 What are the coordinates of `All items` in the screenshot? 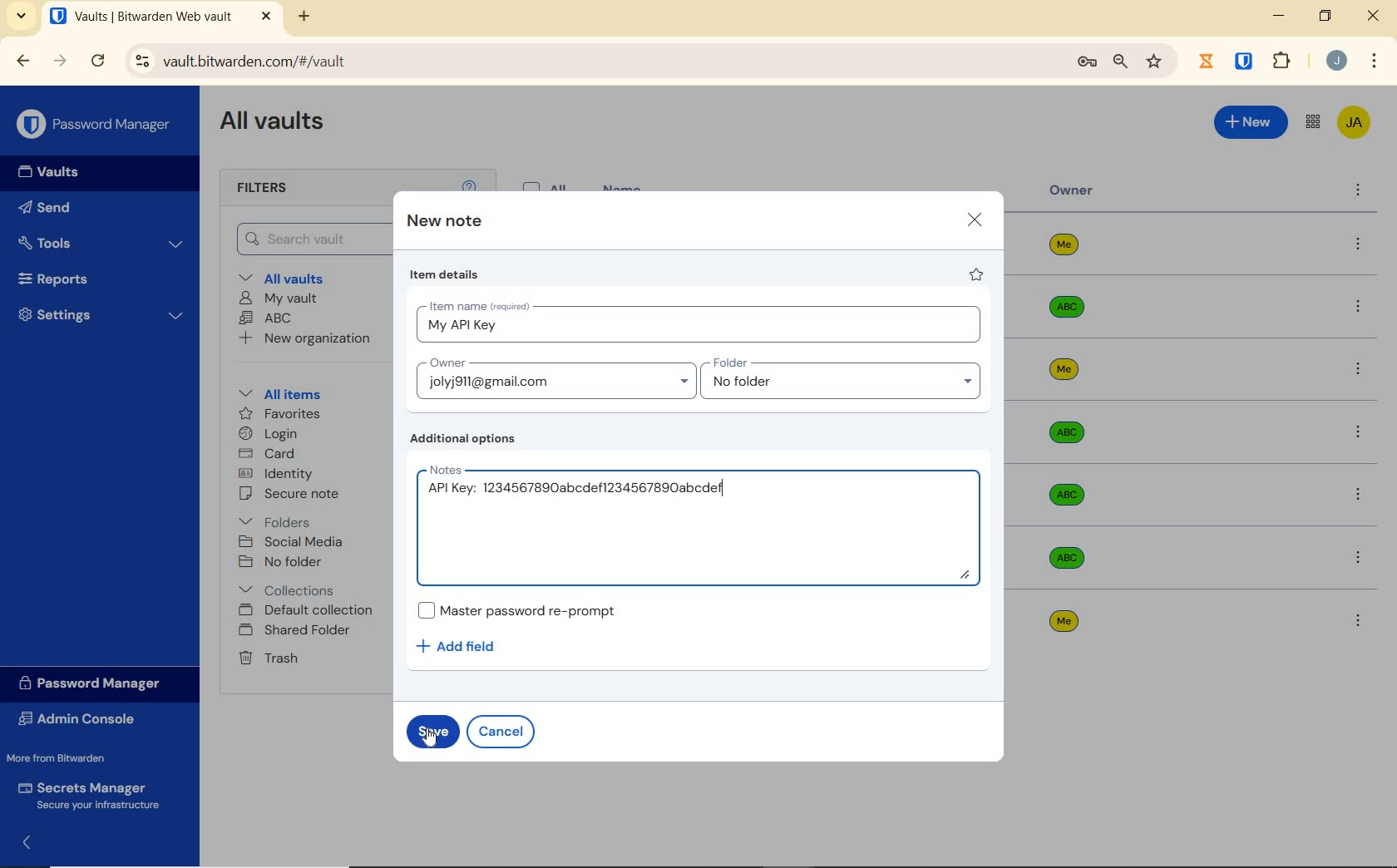 It's located at (292, 394).